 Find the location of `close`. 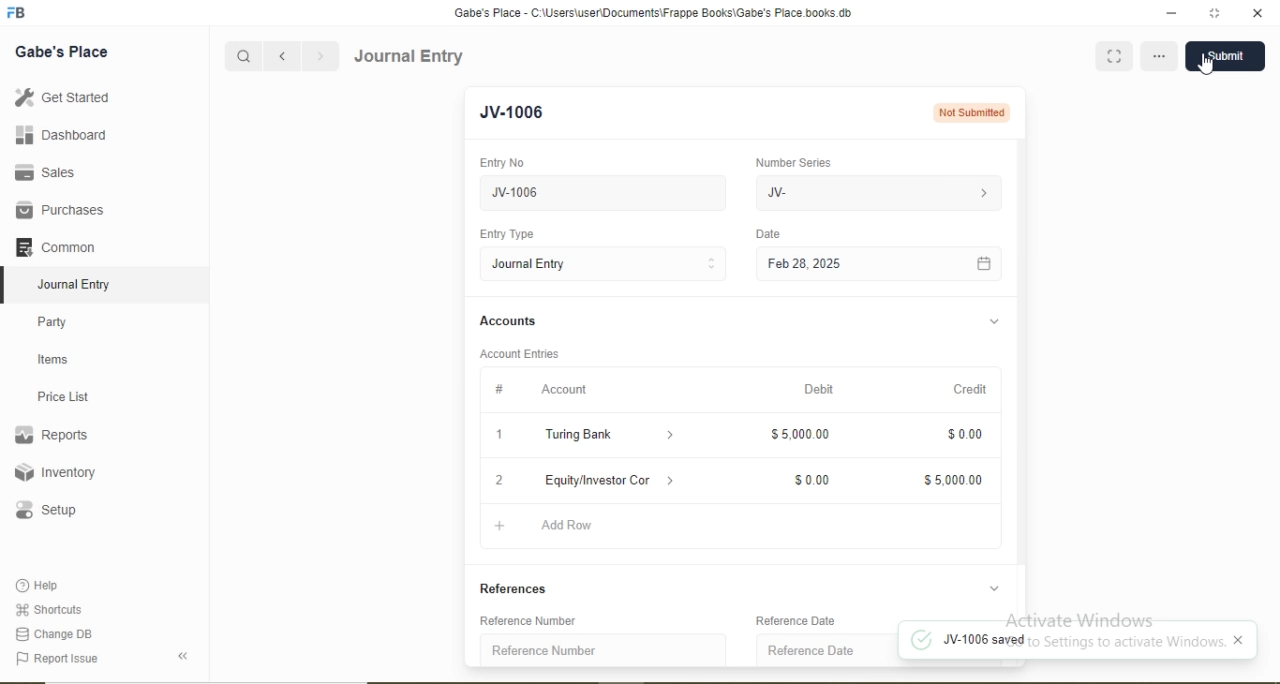

close is located at coordinates (1239, 639).